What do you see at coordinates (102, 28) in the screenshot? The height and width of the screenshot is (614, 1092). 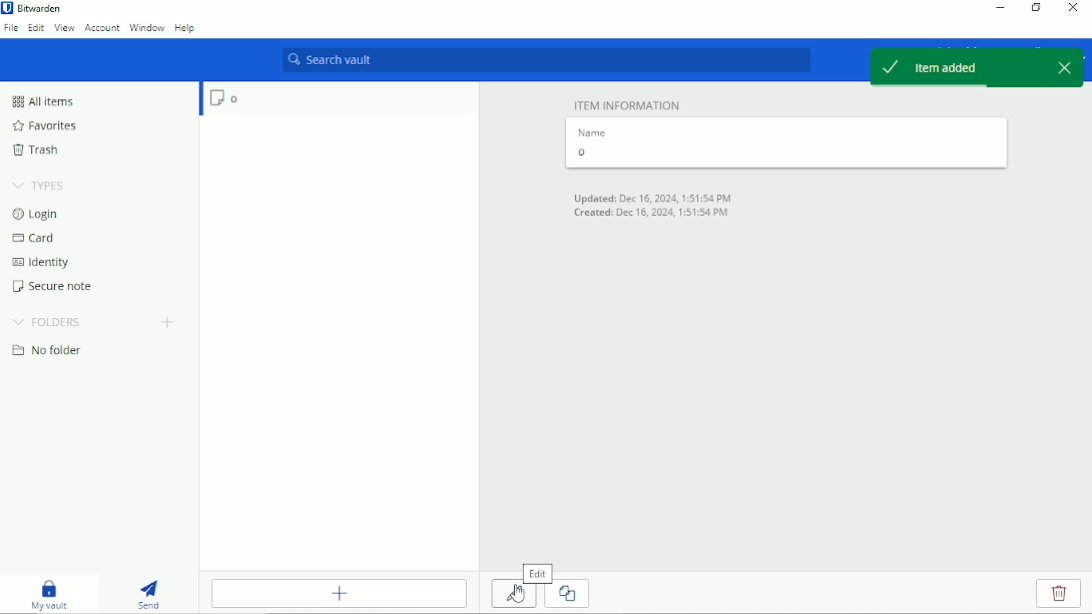 I see `Account` at bounding box center [102, 28].